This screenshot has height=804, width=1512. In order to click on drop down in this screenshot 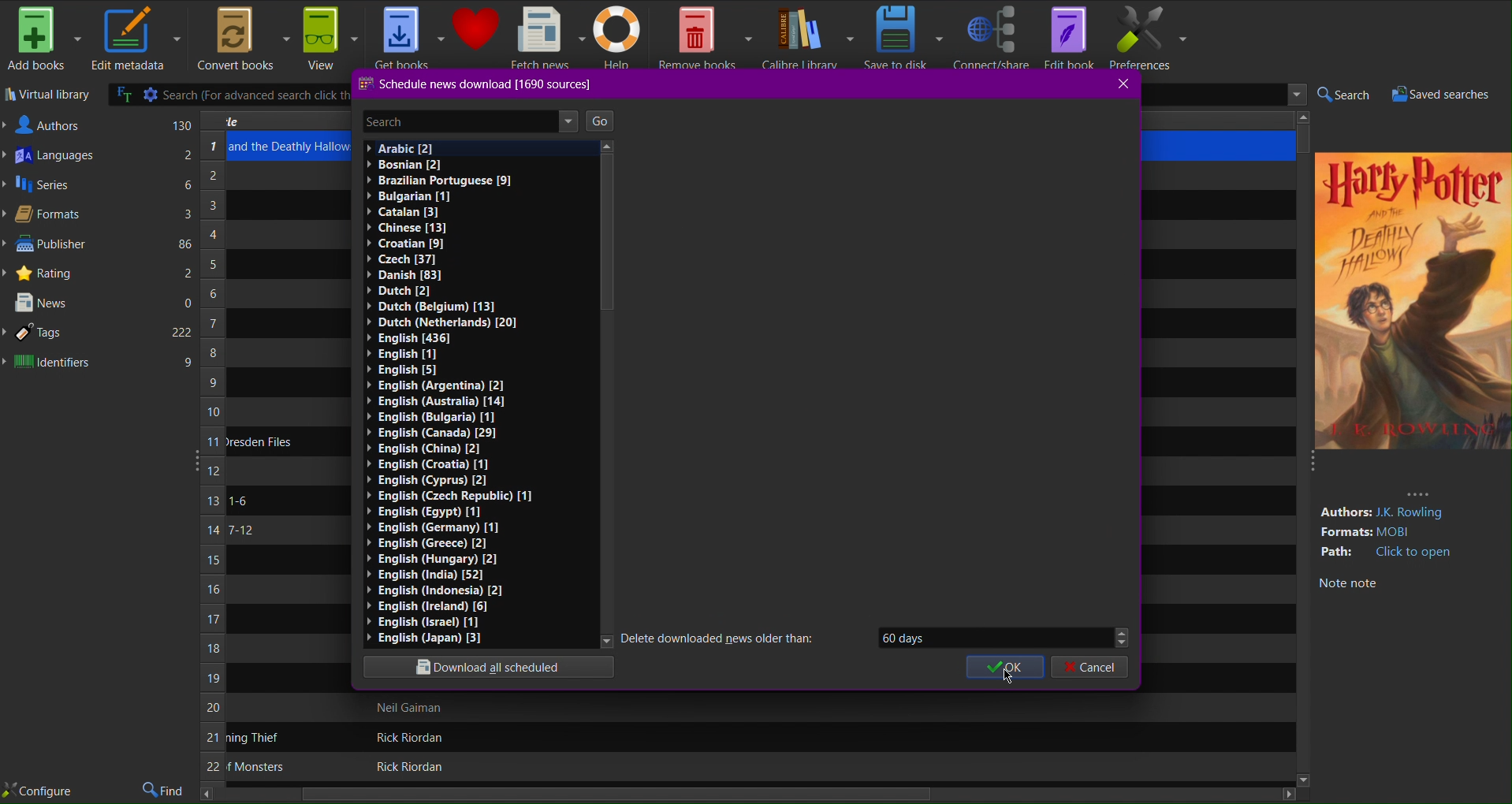, I will do `click(568, 121)`.